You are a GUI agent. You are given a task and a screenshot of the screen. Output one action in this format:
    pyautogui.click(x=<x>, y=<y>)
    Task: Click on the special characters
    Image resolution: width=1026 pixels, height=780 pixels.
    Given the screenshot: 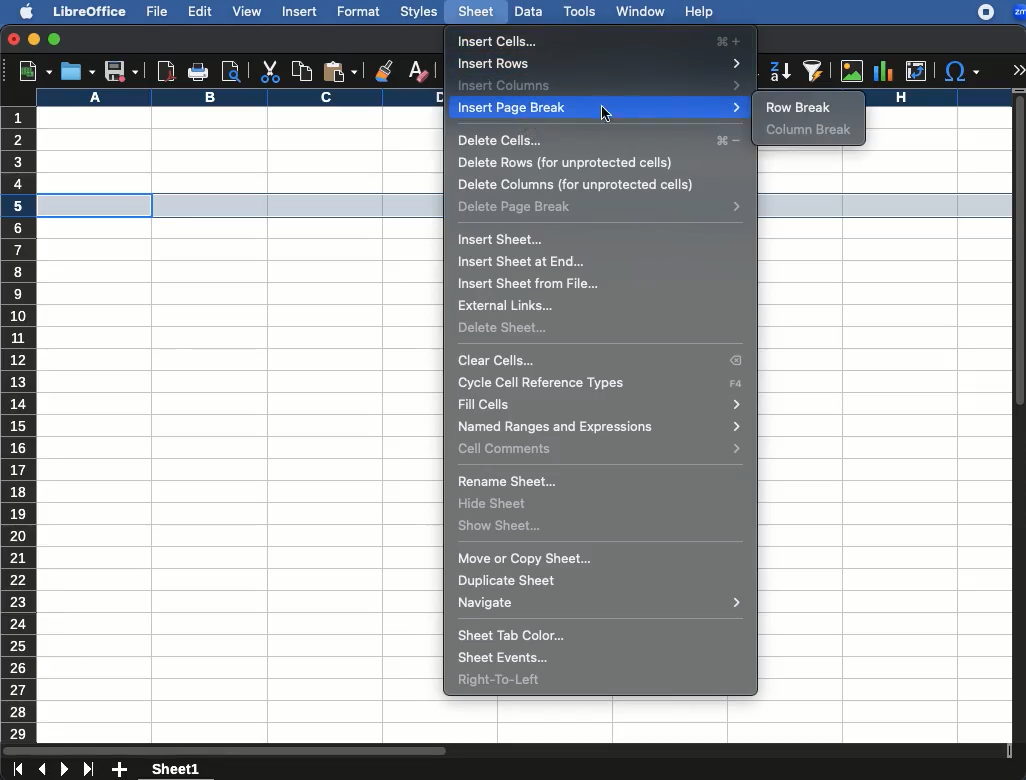 What is the action you would take?
    pyautogui.click(x=961, y=72)
    